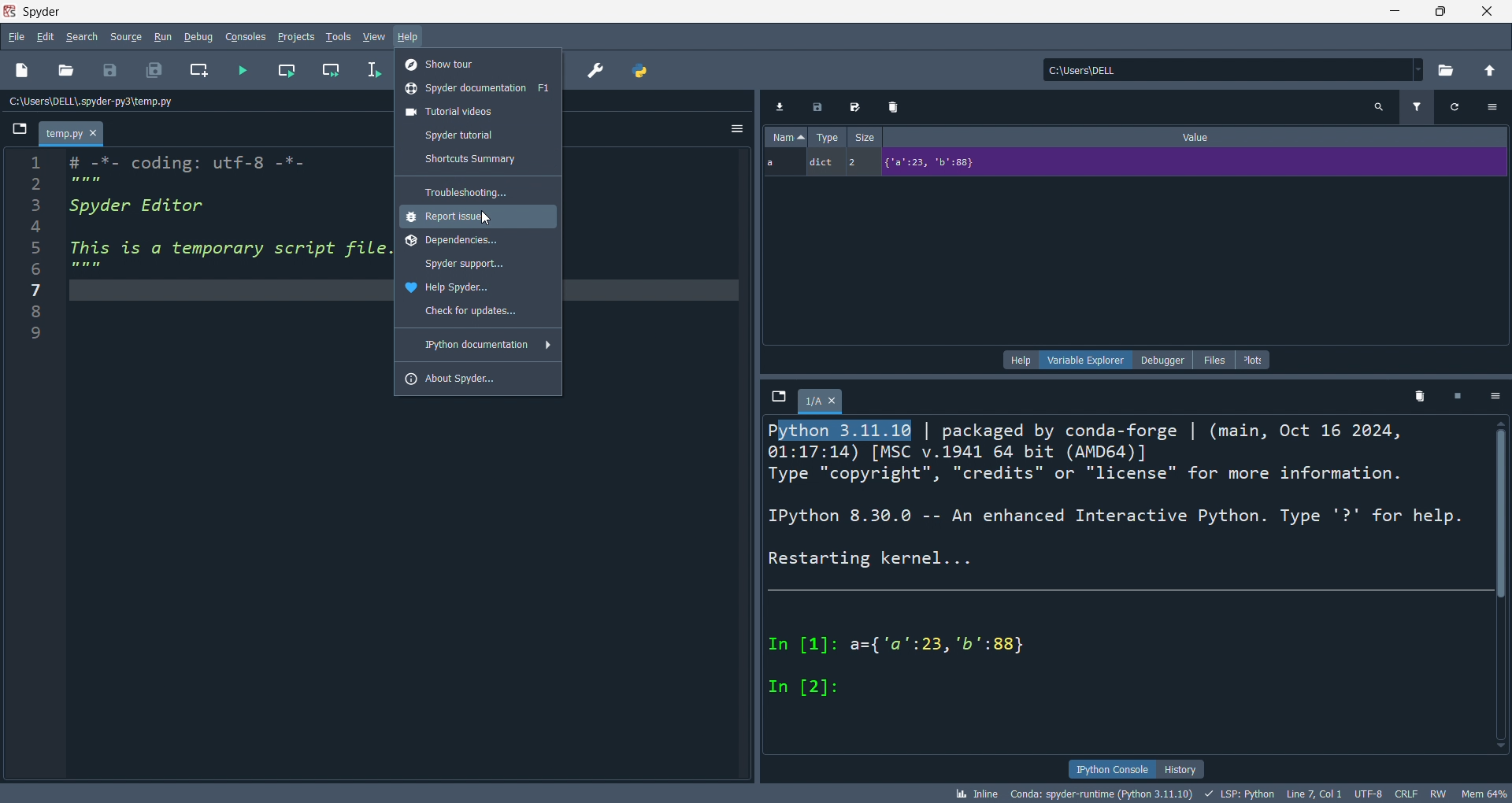 This screenshot has width=1512, height=803. Describe the element at coordinates (37, 250) in the screenshot. I see `Number line` at that location.